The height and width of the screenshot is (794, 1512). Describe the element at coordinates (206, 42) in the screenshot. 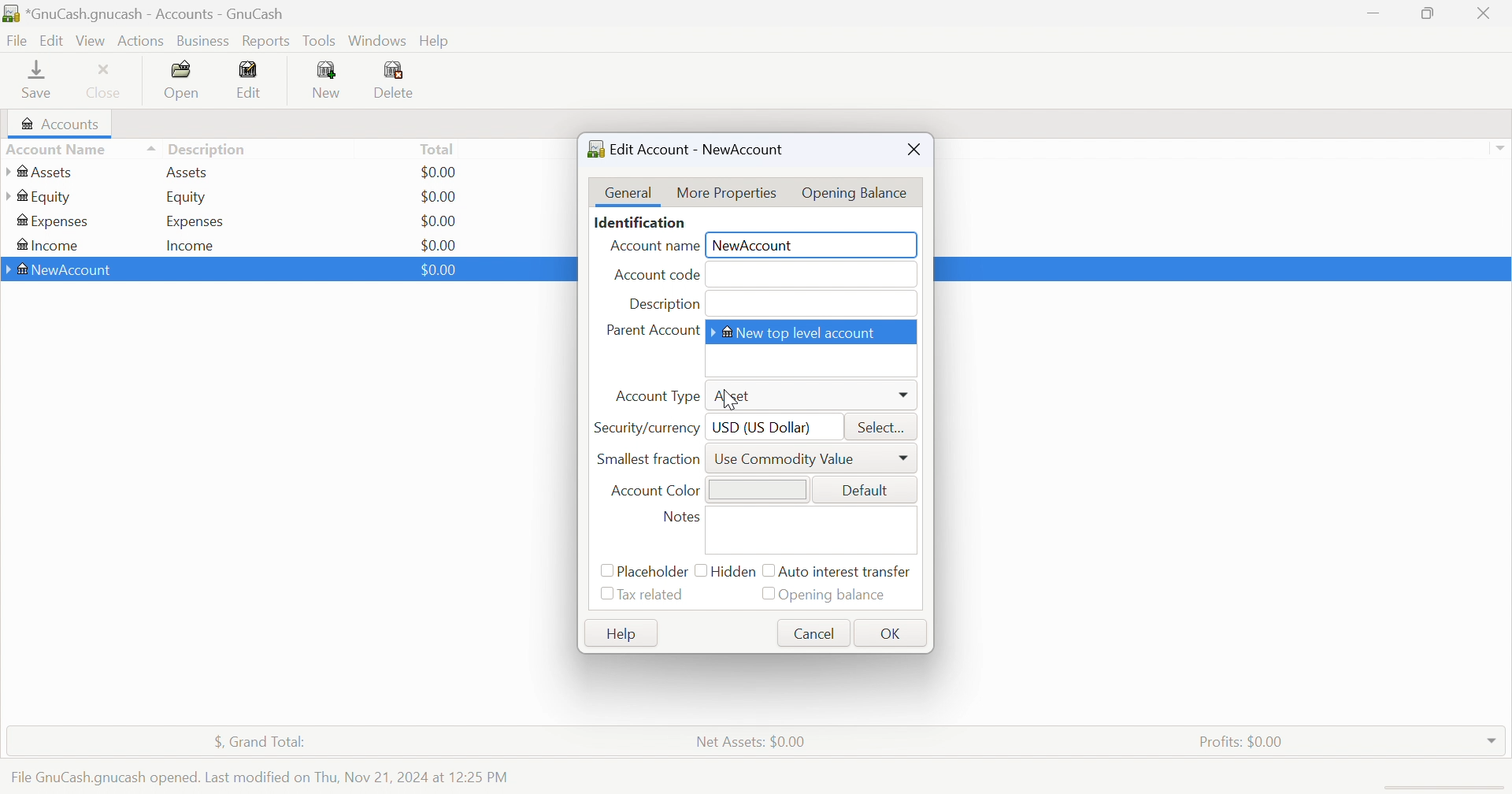

I see `Business` at that location.